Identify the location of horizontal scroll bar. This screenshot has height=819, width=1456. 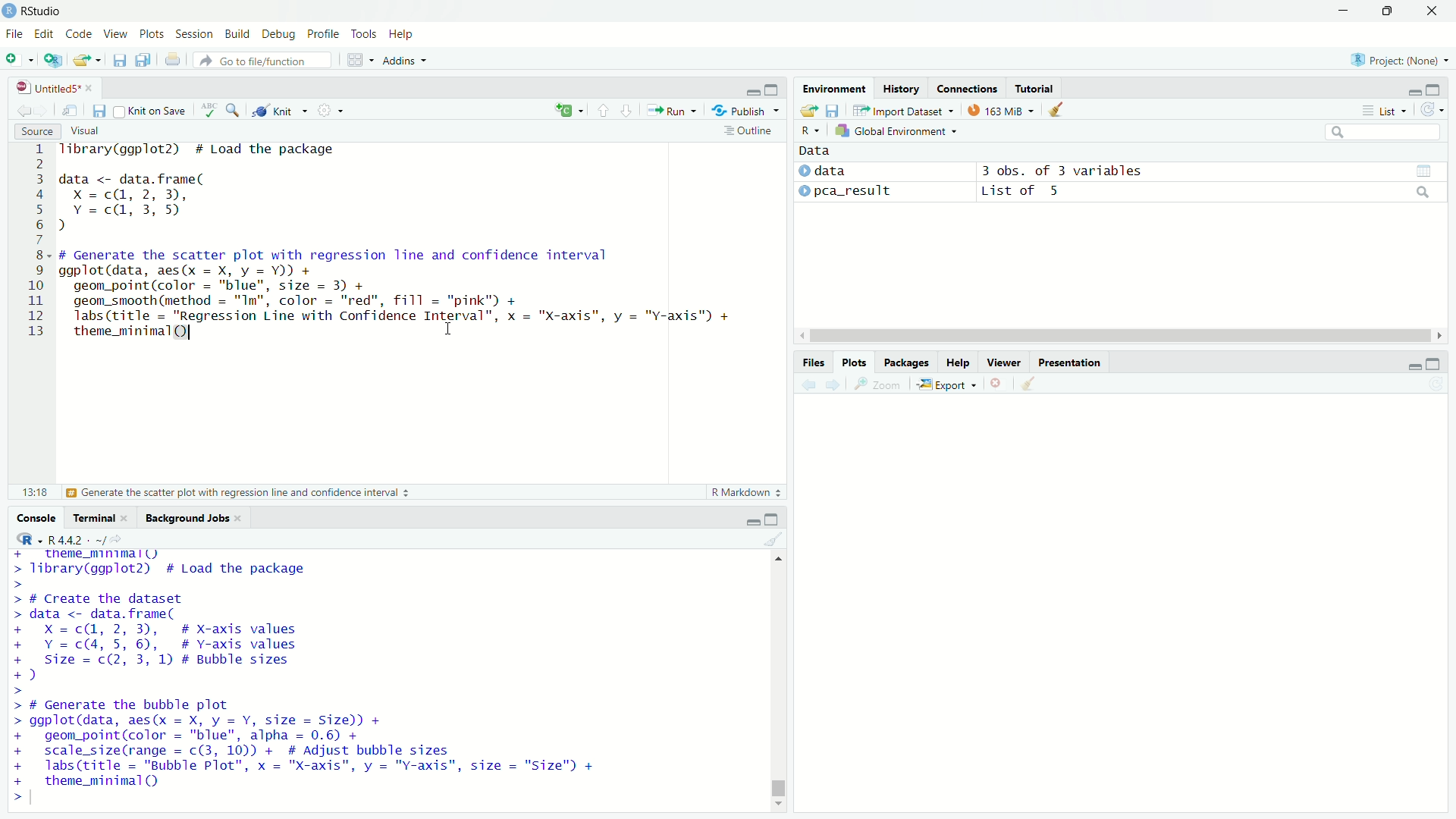
(1121, 336).